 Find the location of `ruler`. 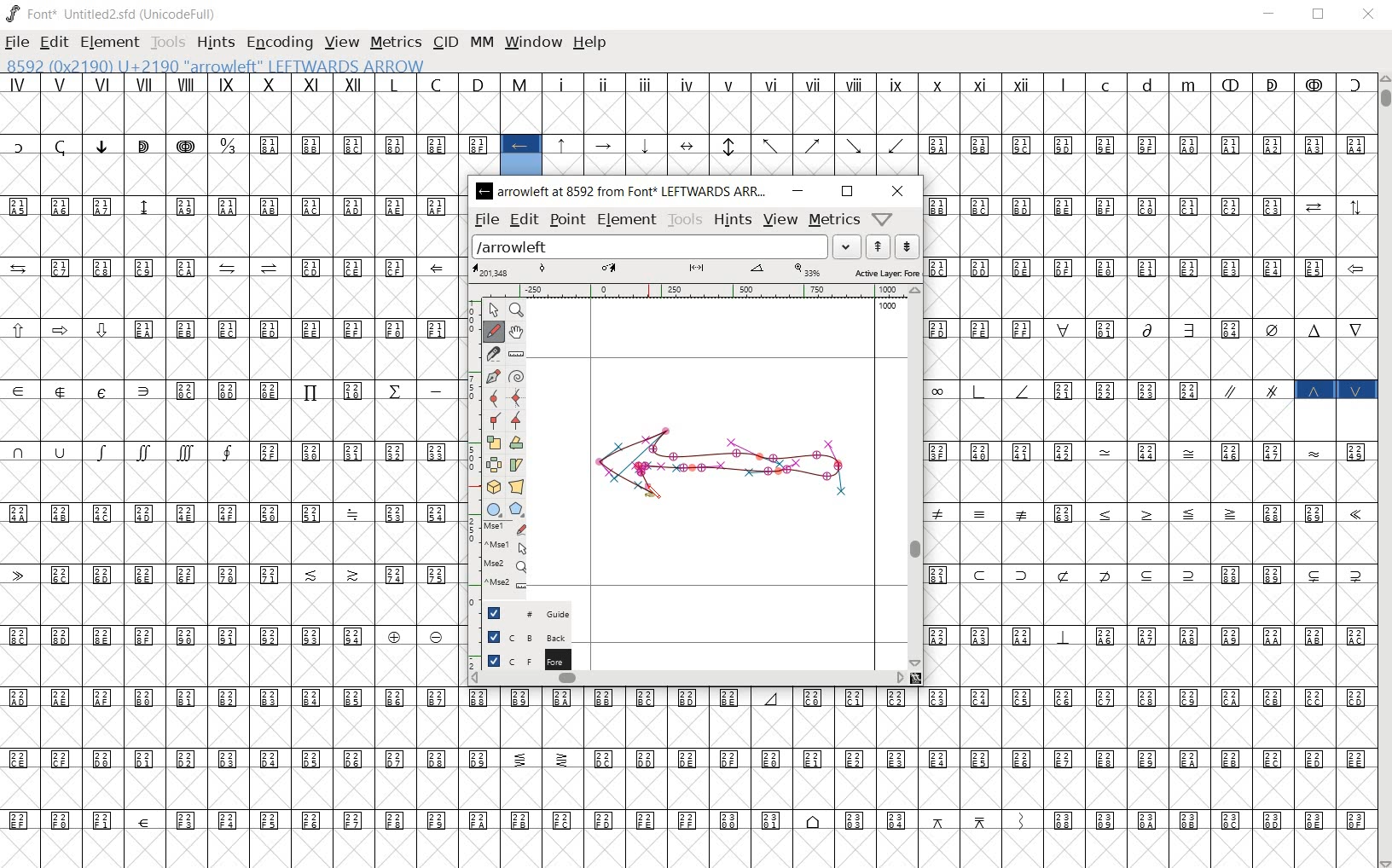

ruler is located at coordinates (692, 292).